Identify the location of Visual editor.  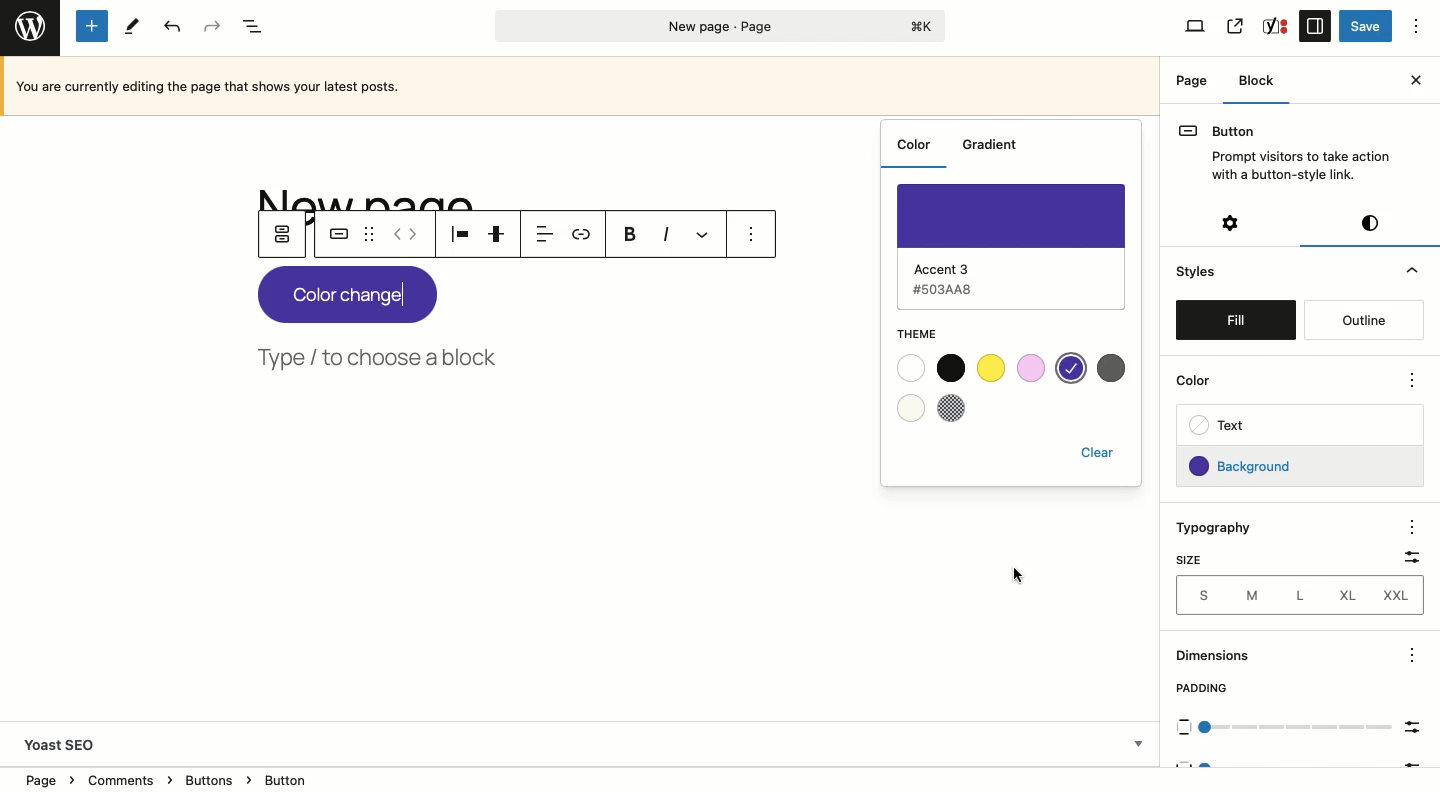
(1374, 221).